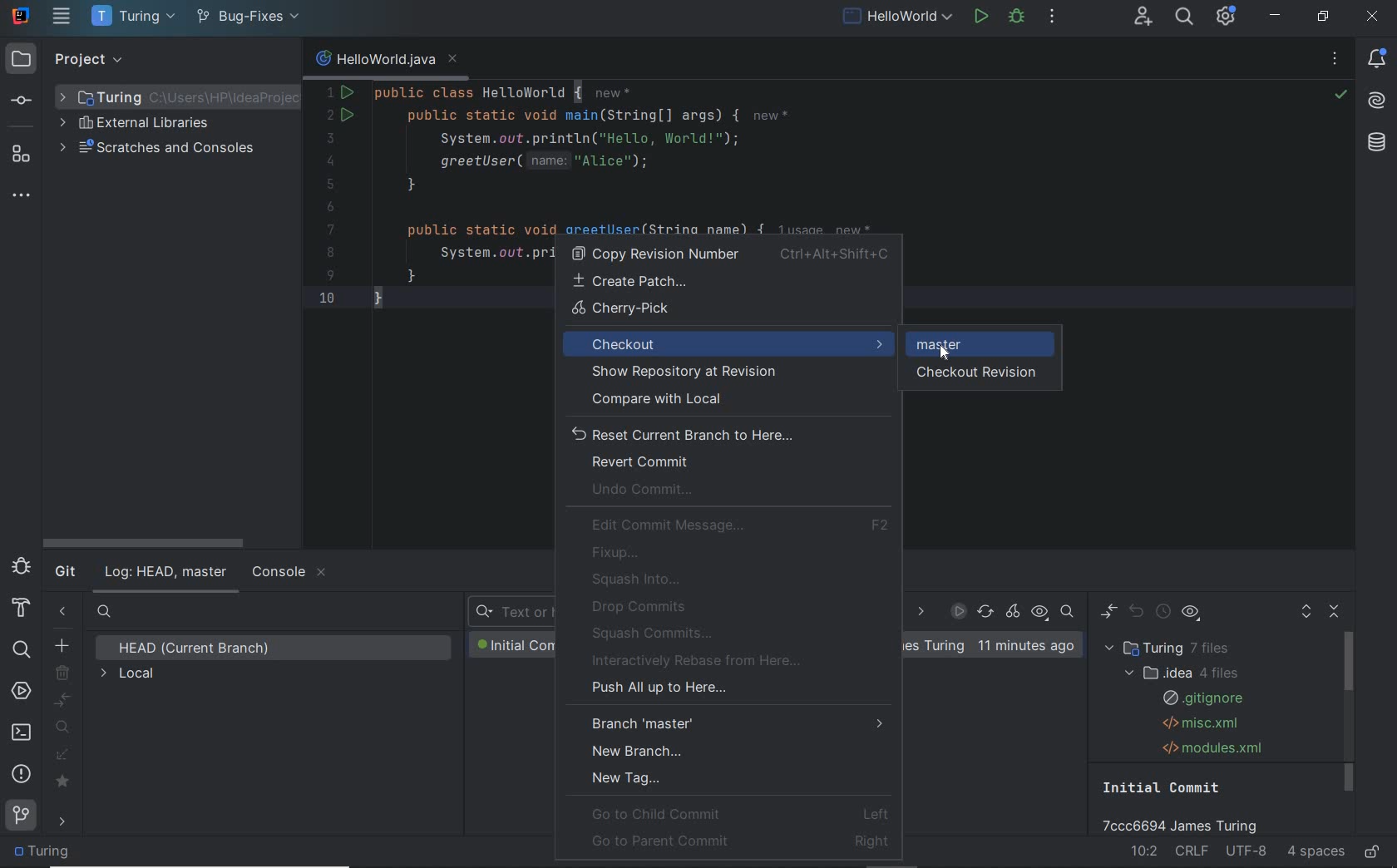 The image size is (1397, 868). What do you see at coordinates (701, 661) in the screenshot?
I see `interactively rebase from here` at bounding box center [701, 661].